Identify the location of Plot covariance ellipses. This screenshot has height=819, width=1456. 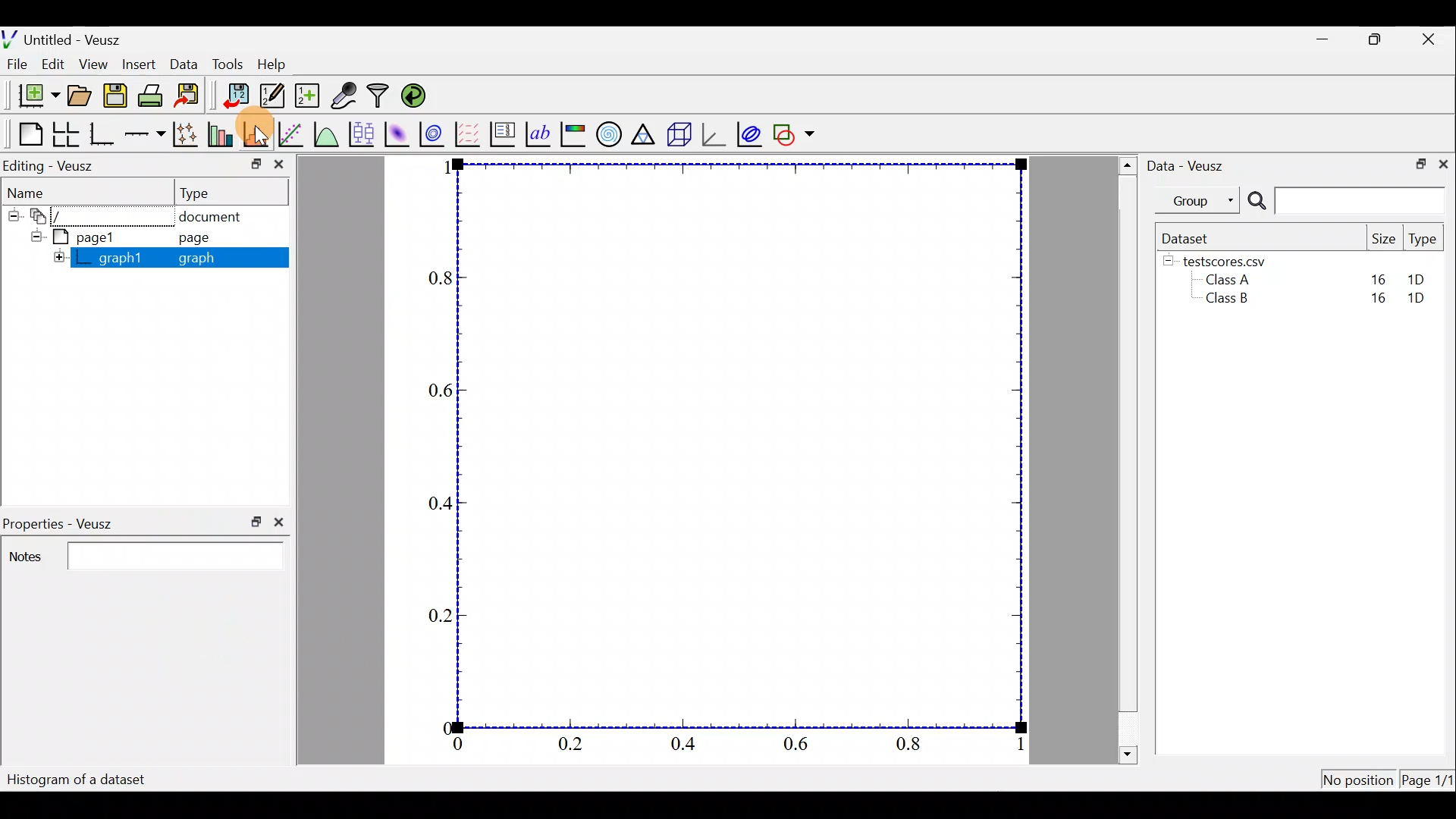
(749, 133).